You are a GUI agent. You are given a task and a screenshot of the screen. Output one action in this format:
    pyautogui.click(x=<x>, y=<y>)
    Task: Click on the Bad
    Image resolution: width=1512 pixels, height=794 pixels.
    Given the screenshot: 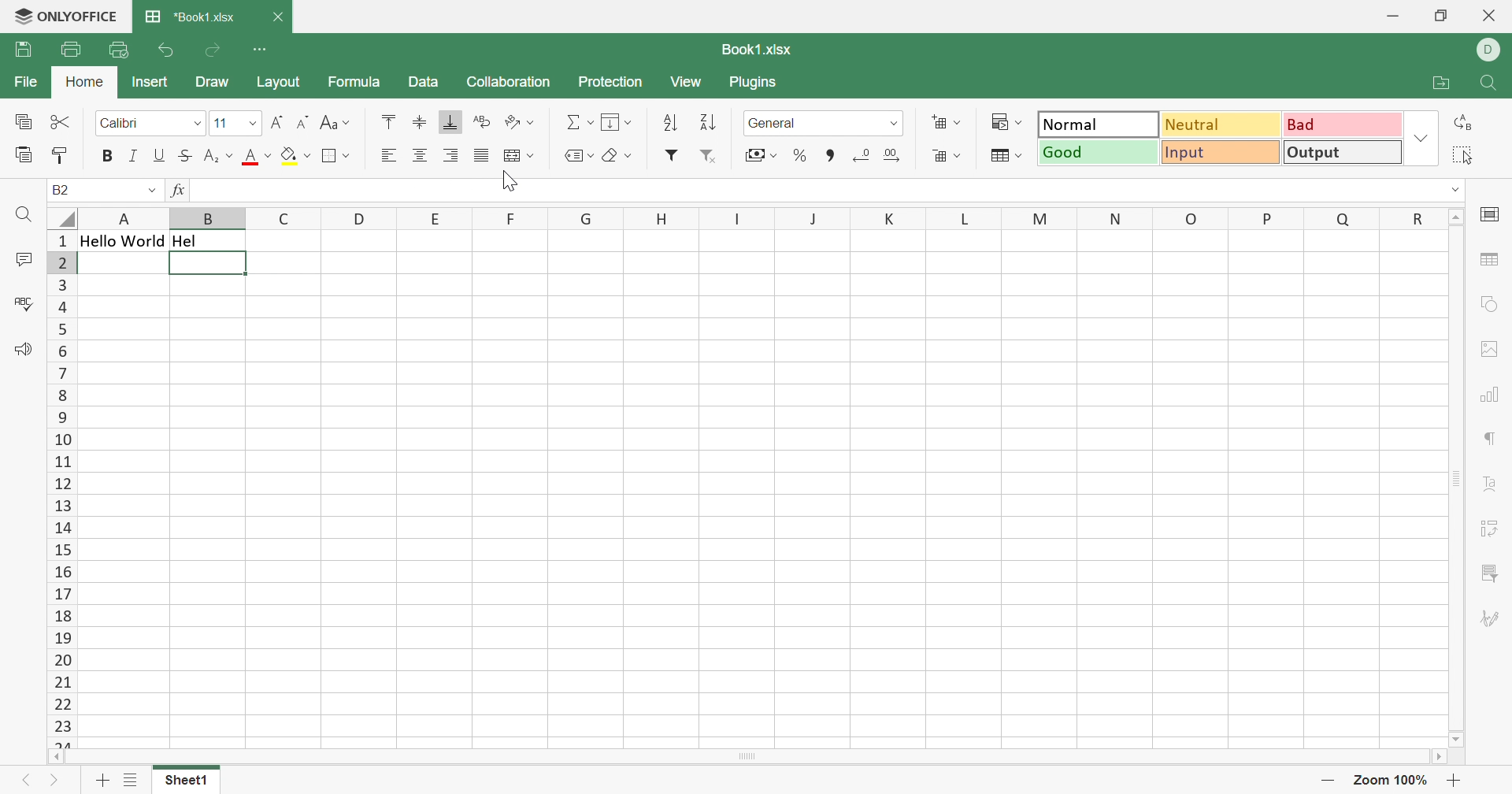 What is the action you would take?
    pyautogui.click(x=1343, y=123)
    